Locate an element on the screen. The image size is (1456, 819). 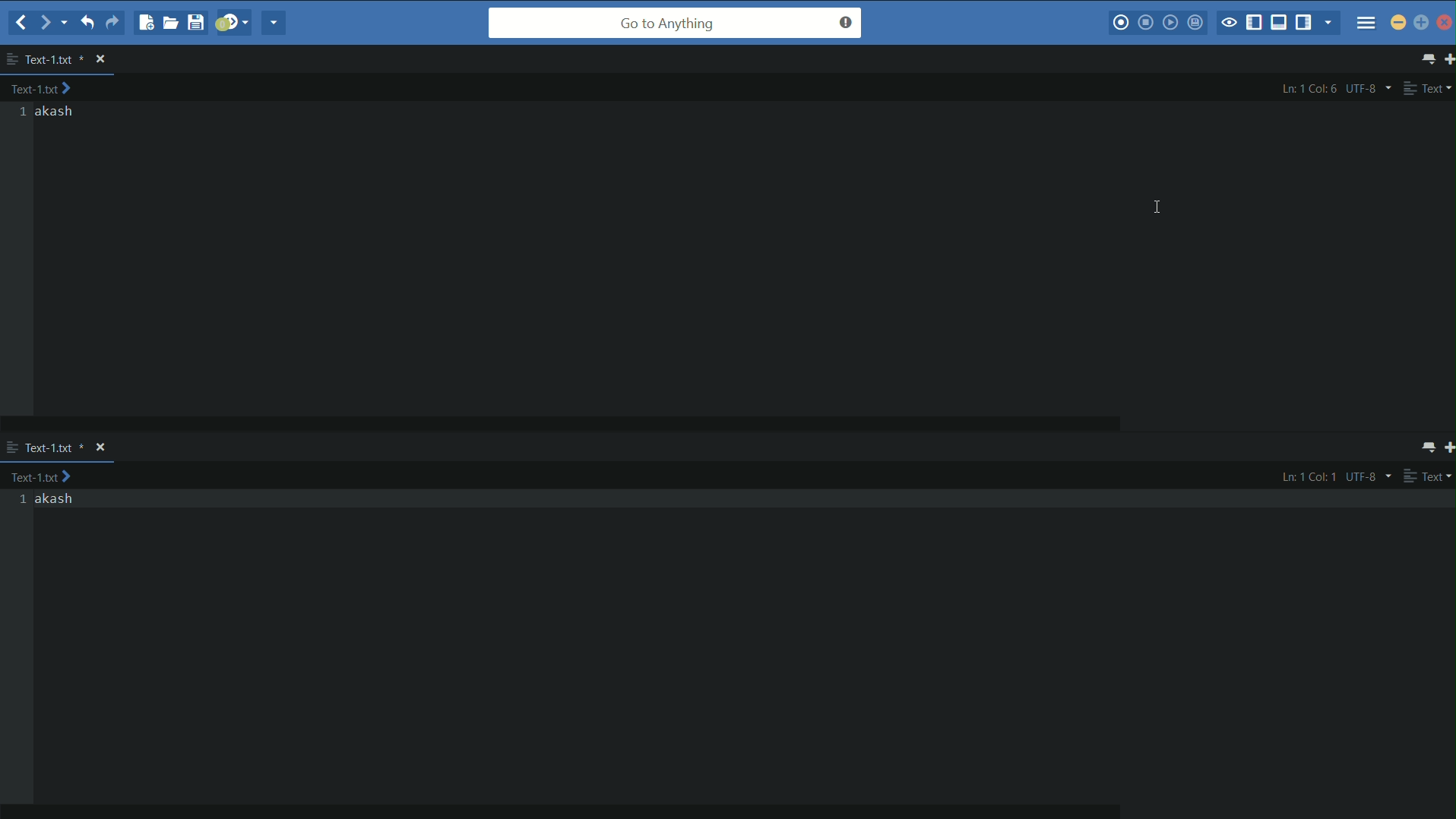
Akash is located at coordinates (55, 112).